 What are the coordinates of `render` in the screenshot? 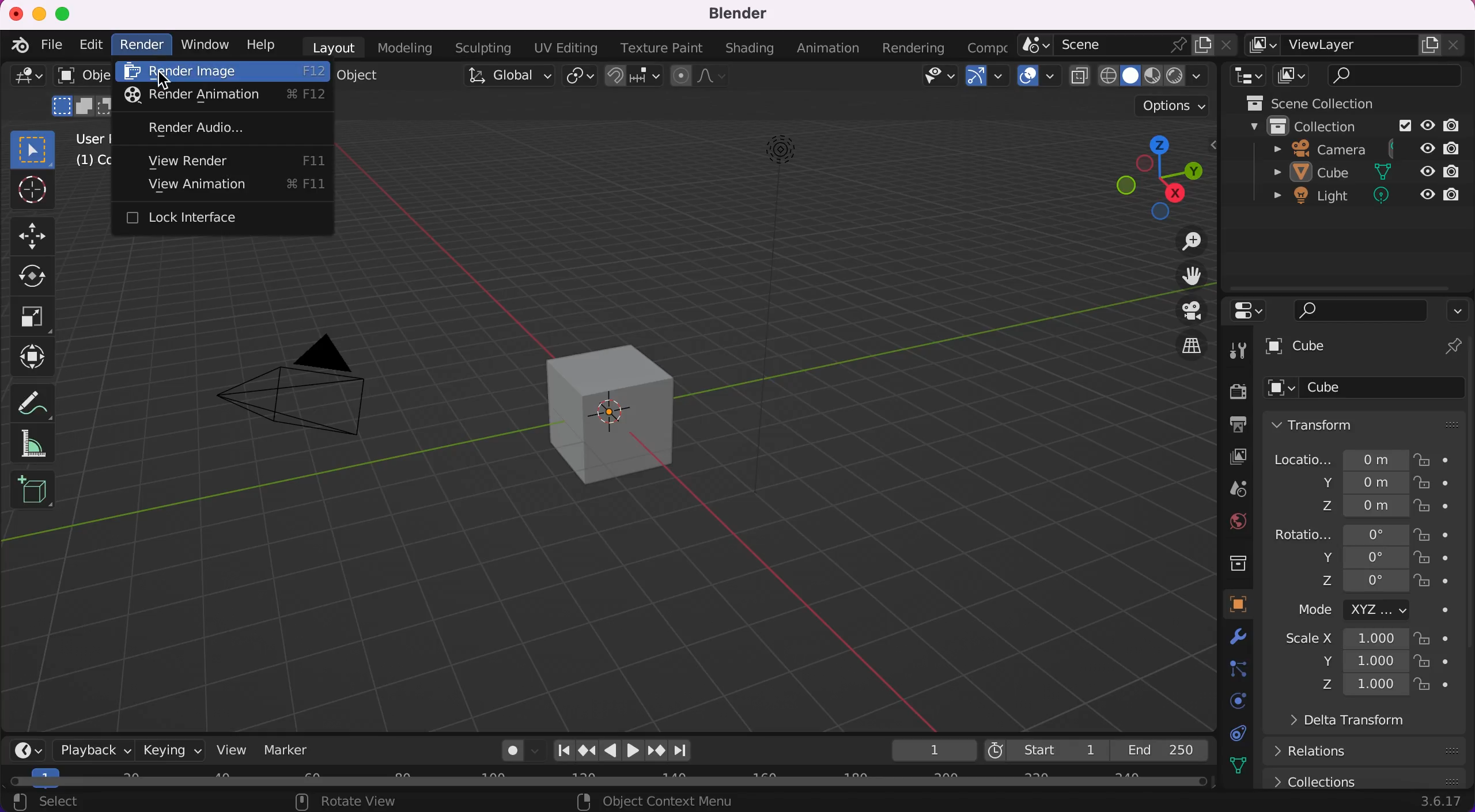 It's located at (1227, 390).